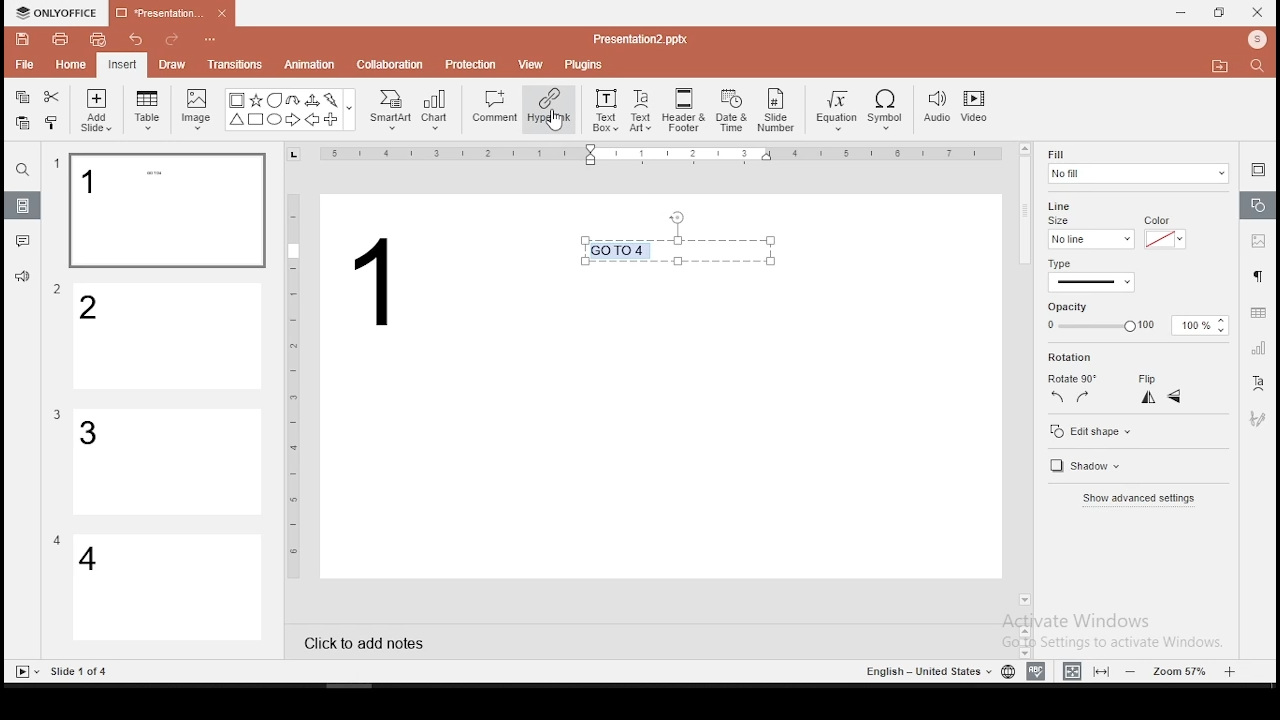  What do you see at coordinates (388, 110) in the screenshot?
I see `smart` at bounding box center [388, 110].